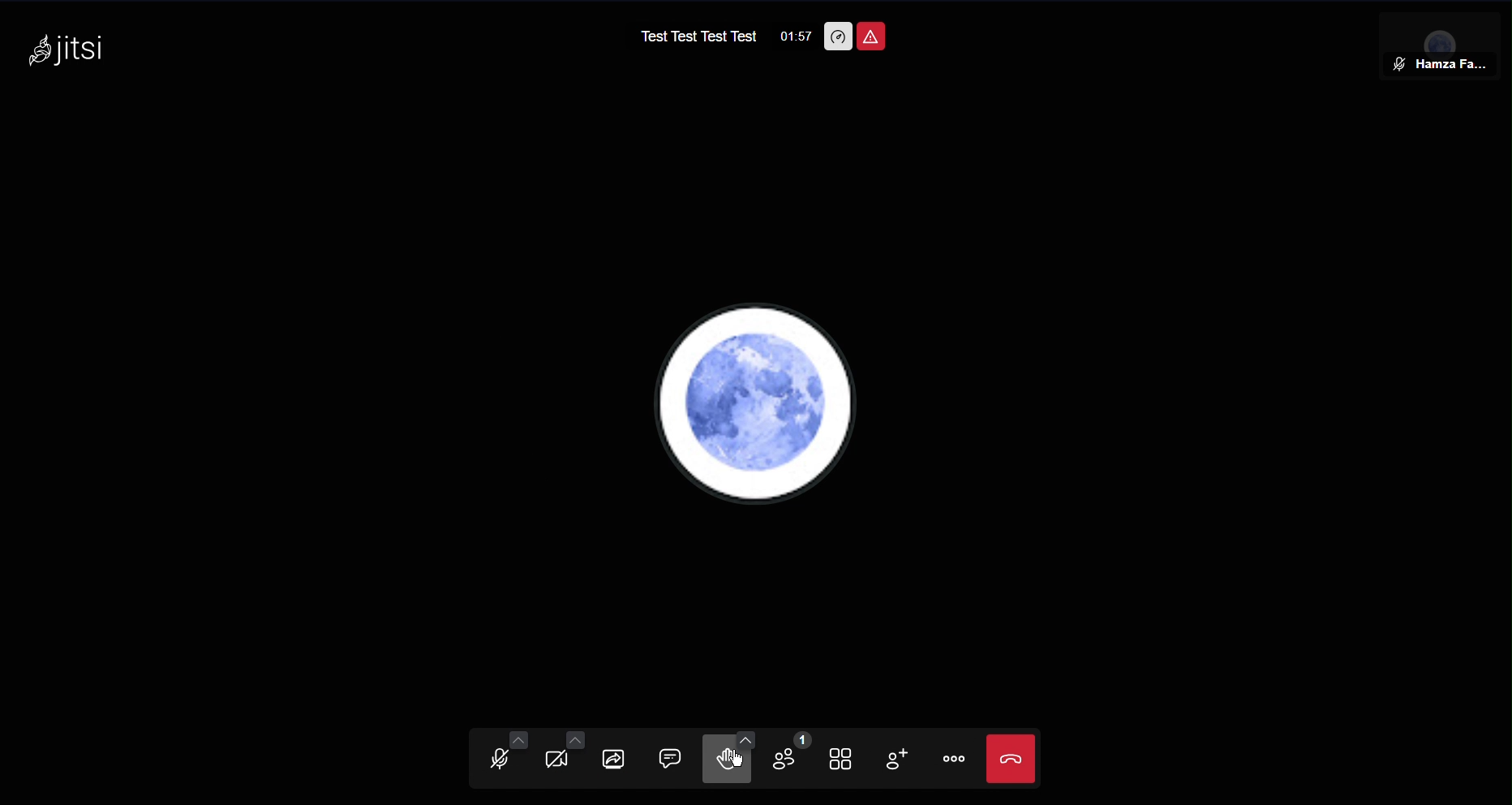 The height and width of the screenshot is (805, 1512). I want to click on Video, so click(569, 759).